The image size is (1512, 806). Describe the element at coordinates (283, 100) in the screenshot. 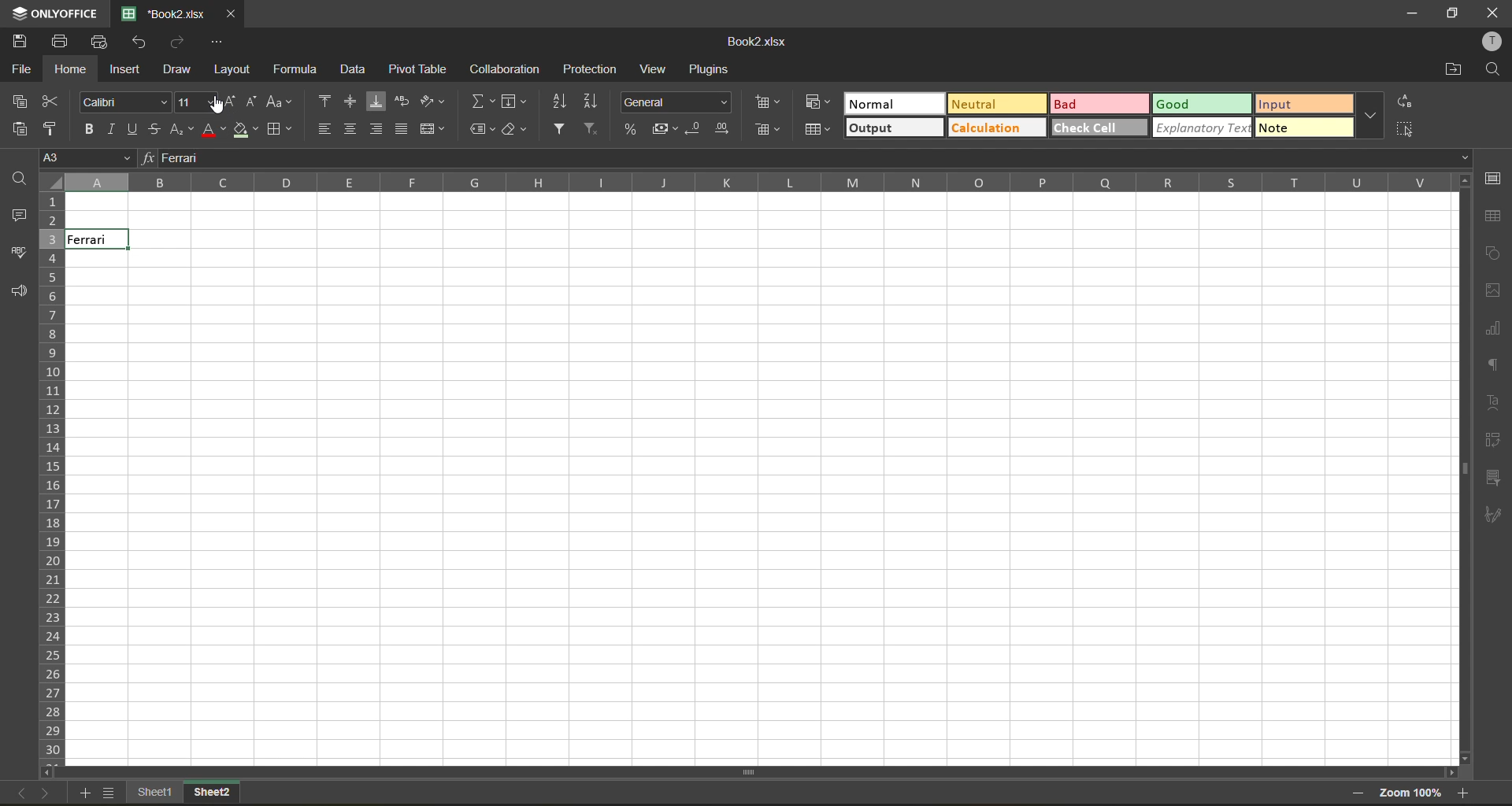

I see `change case` at that location.